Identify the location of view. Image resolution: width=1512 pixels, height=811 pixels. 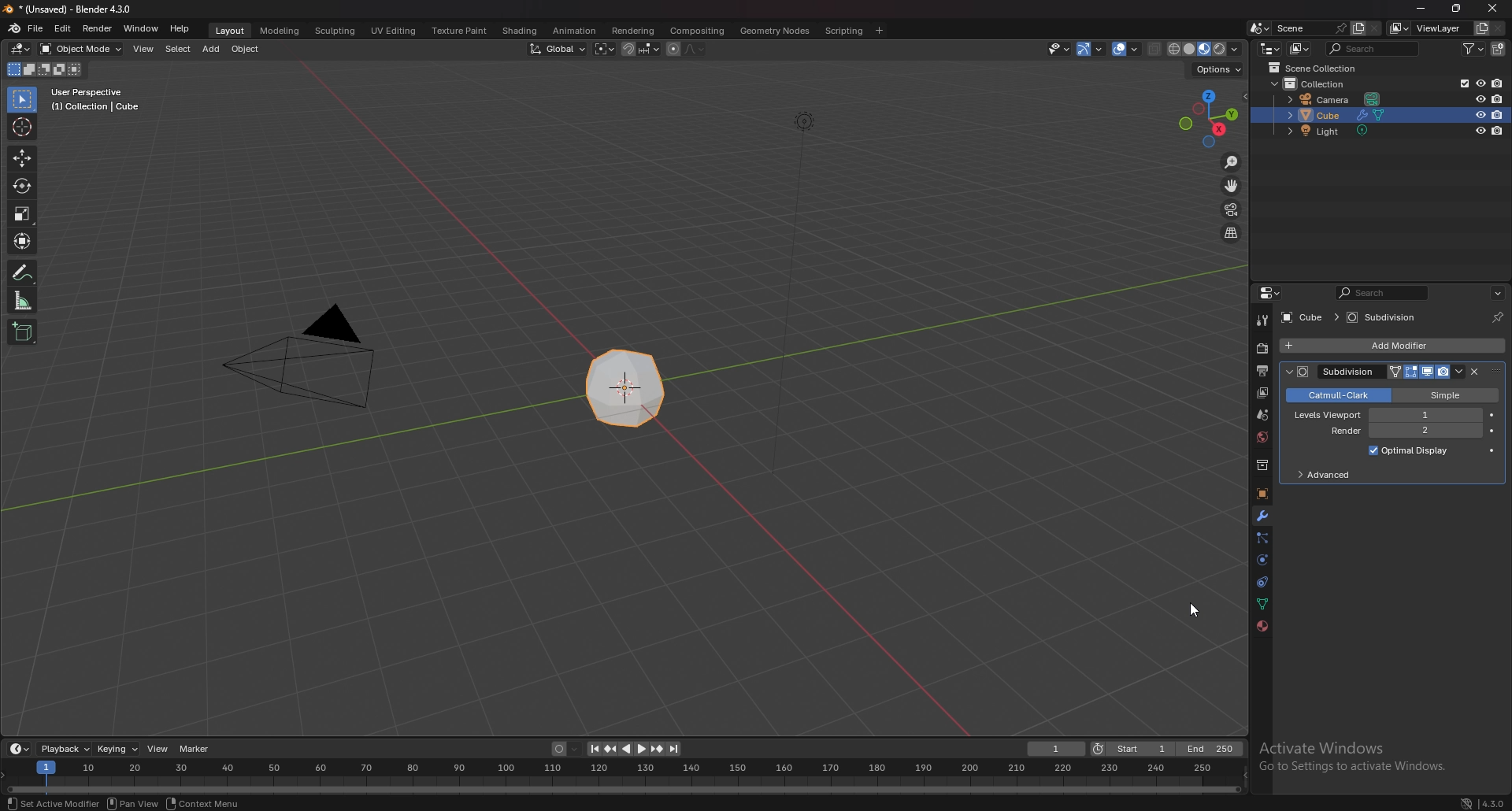
(158, 749).